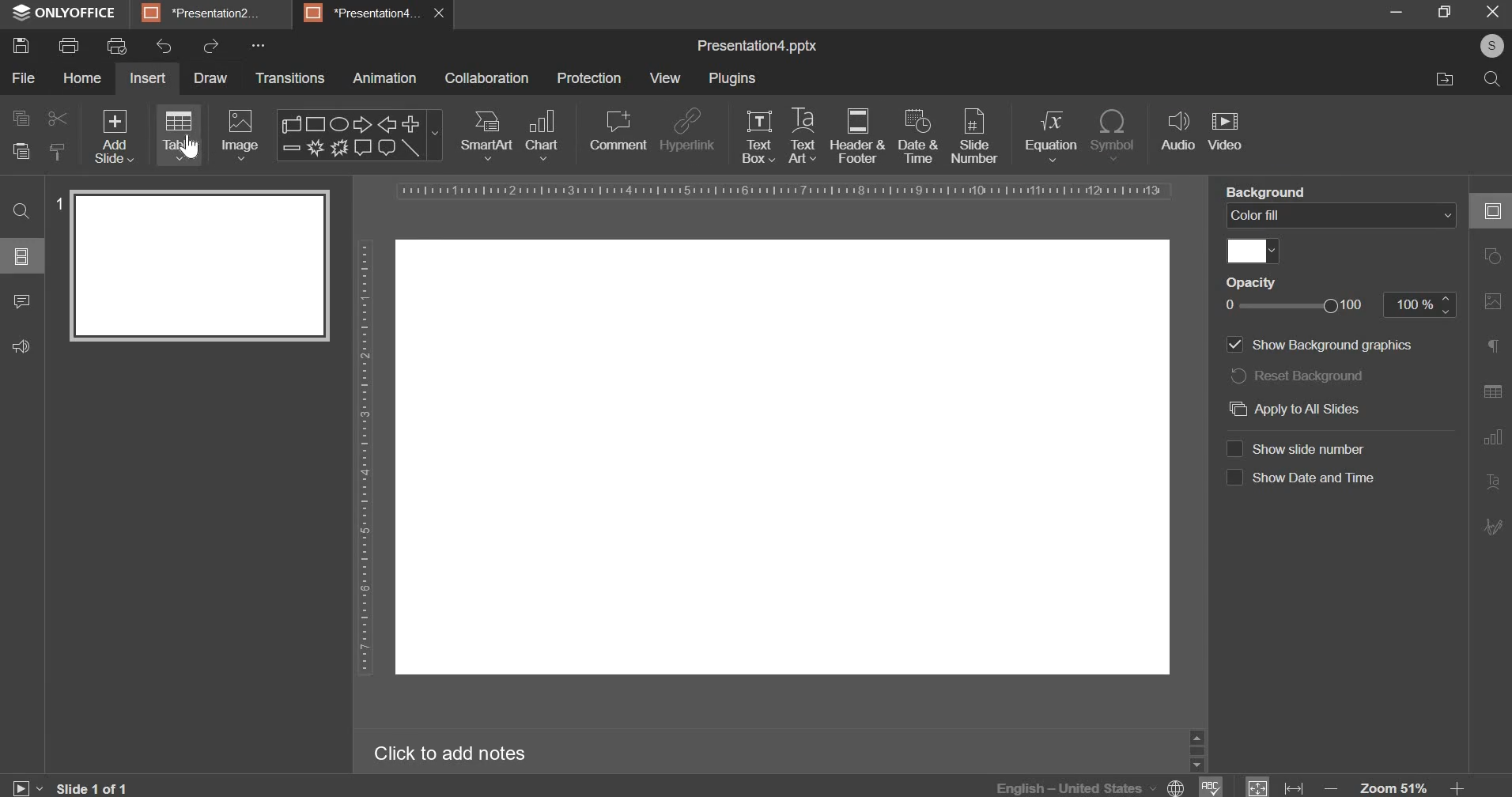  What do you see at coordinates (731, 78) in the screenshot?
I see `plugins` at bounding box center [731, 78].